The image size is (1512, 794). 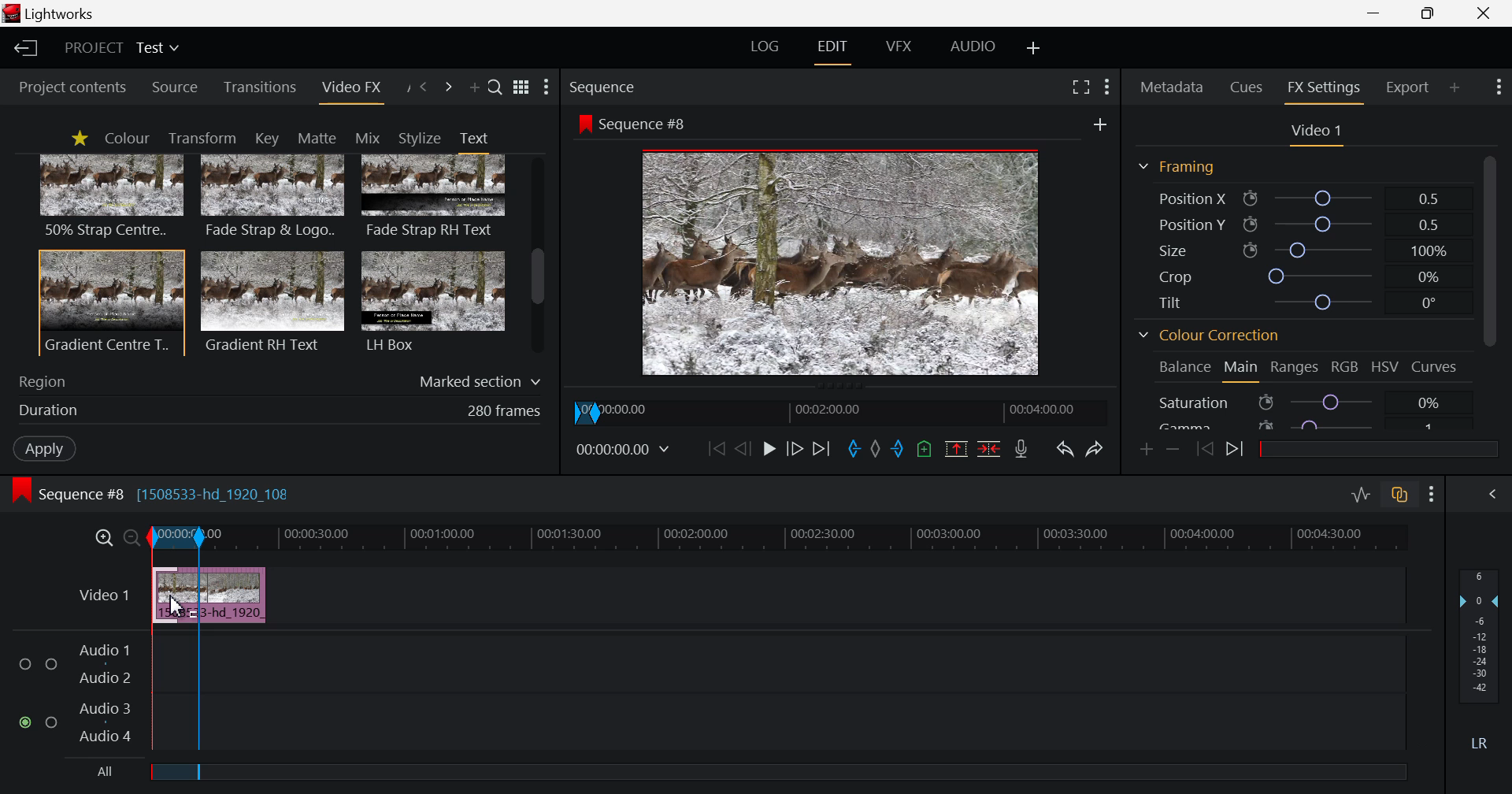 What do you see at coordinates (1304, 302) in the screenshot?
I see `Tilt` at bounding box center [1304, 302].